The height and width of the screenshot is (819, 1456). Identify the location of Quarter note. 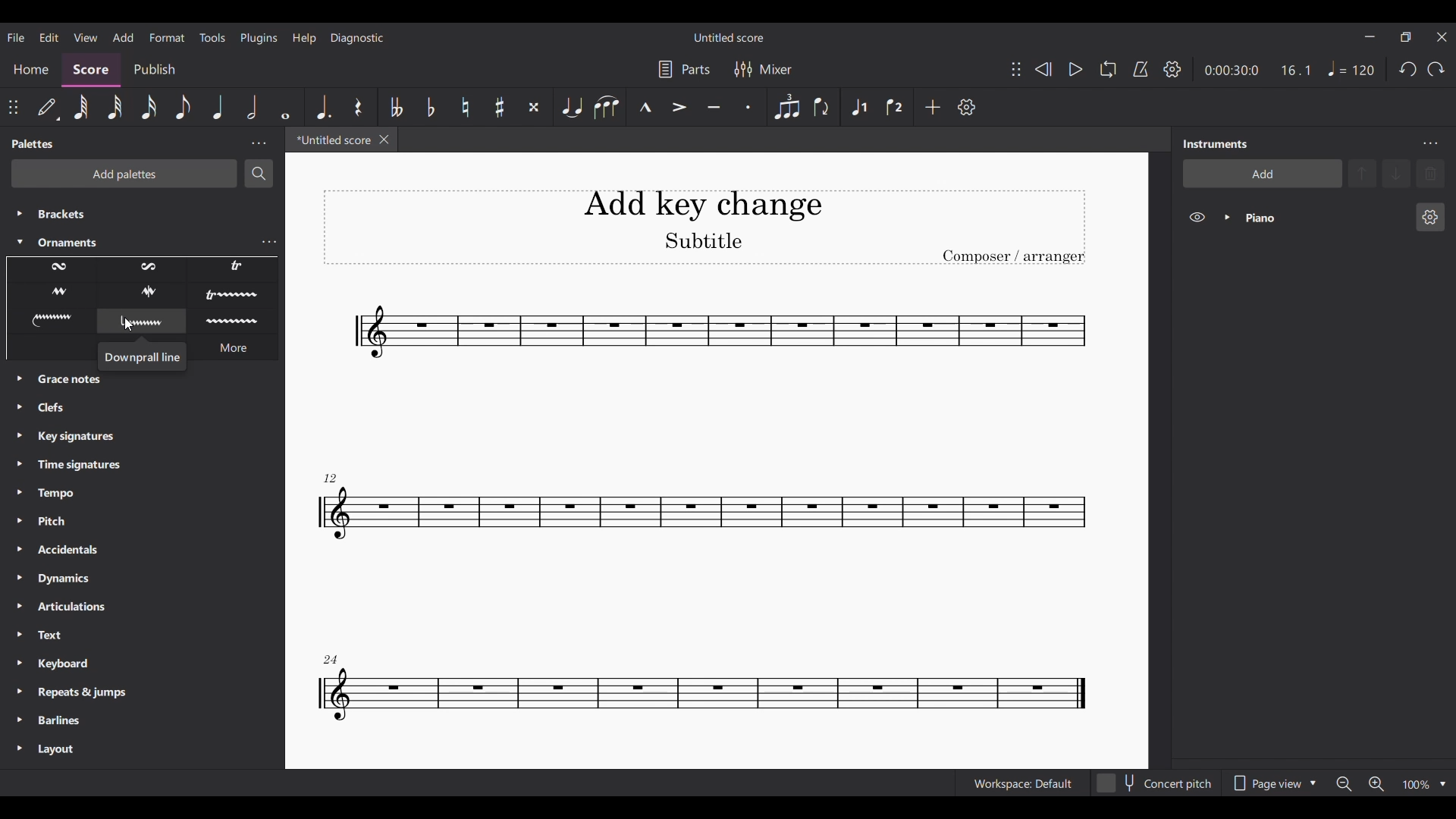
(1351, 68).